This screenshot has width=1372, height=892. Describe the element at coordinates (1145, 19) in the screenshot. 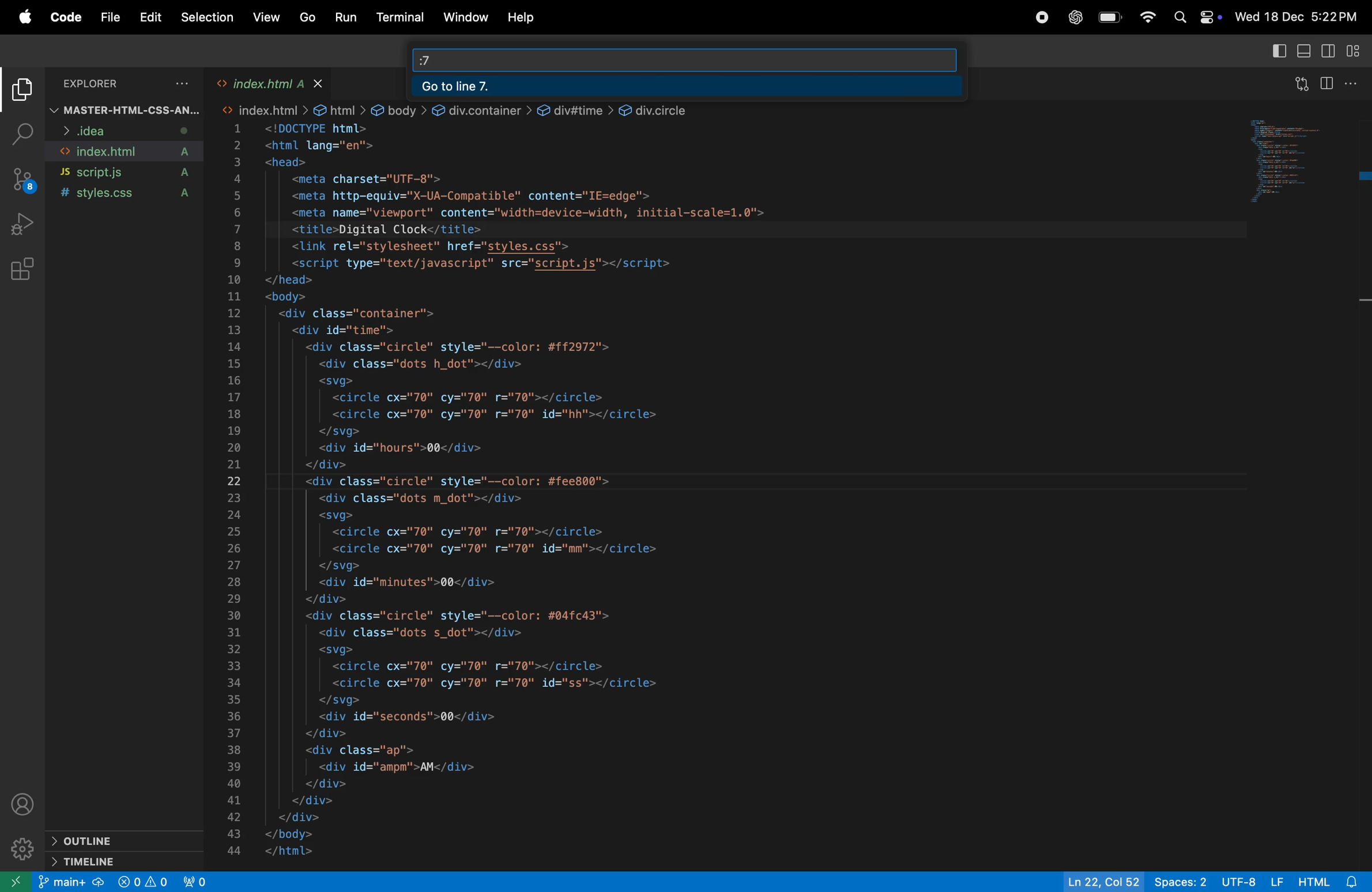

I see `wifi` at that location.